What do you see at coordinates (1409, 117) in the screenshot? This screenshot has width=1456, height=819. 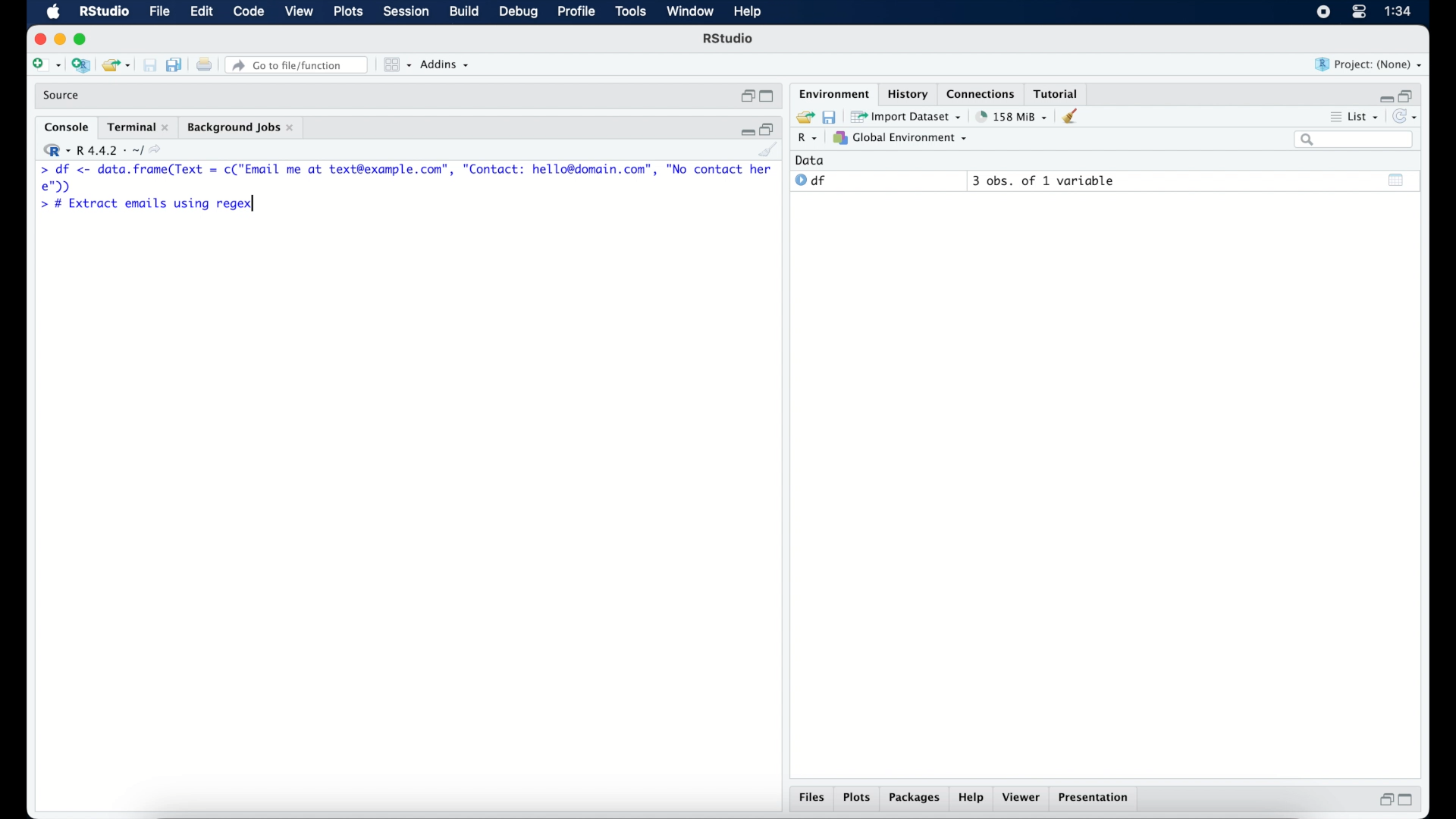 I see `refresh` at bounding box center [1409, 117].